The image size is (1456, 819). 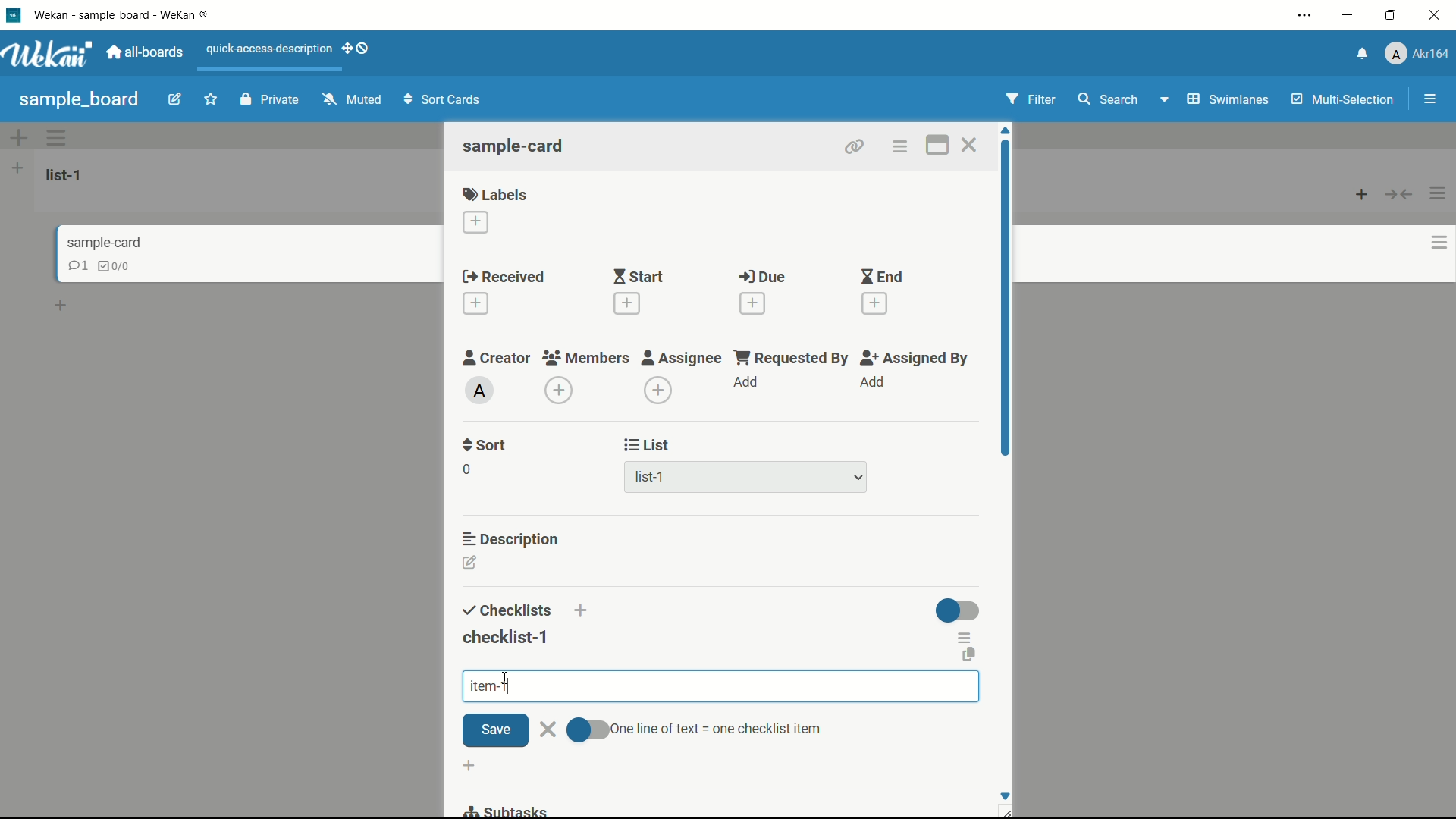 I want to click on add, so click(x=582, y=605).